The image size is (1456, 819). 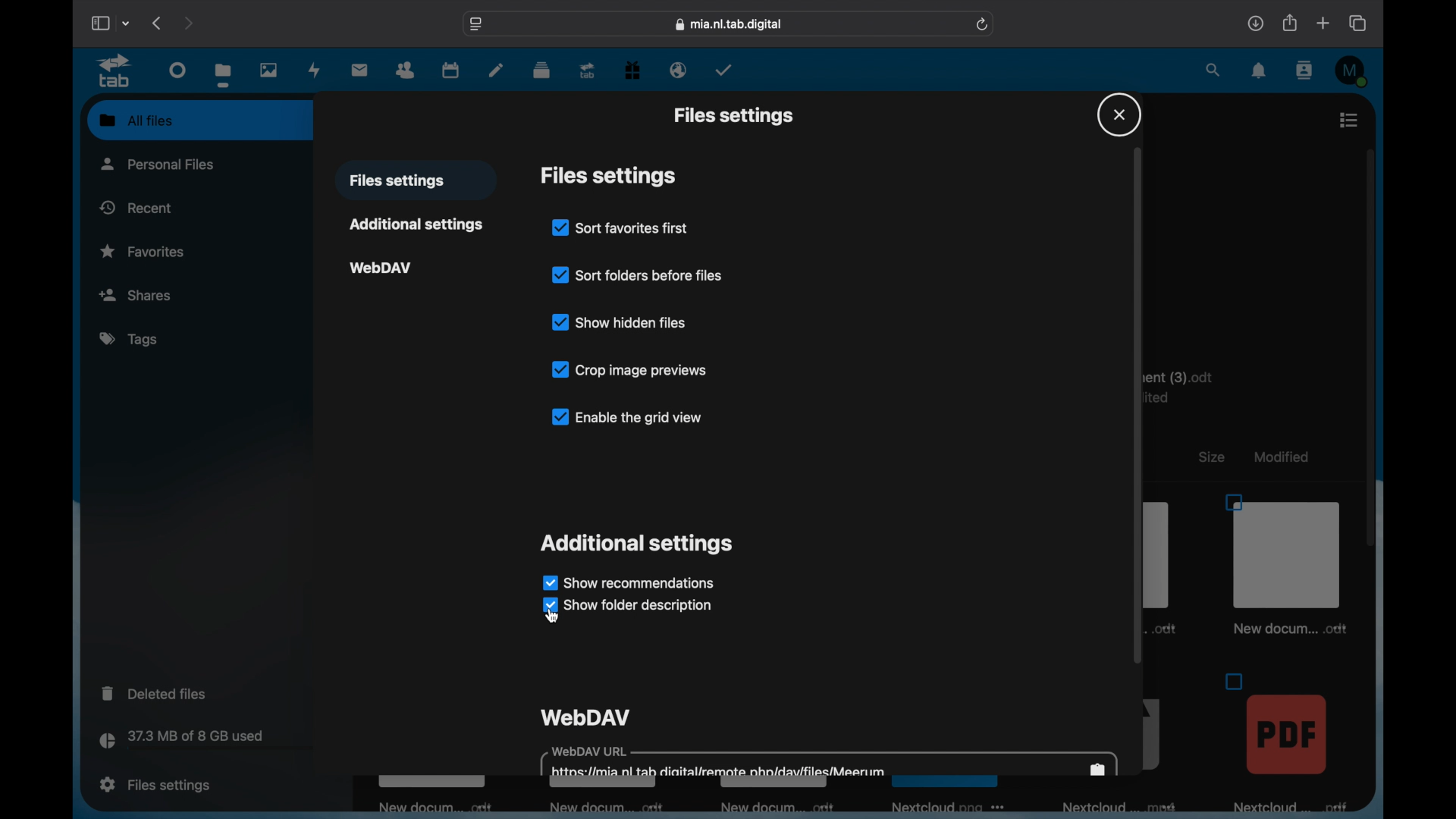 I want to click on show recommendations, so click(x=628, y=582).